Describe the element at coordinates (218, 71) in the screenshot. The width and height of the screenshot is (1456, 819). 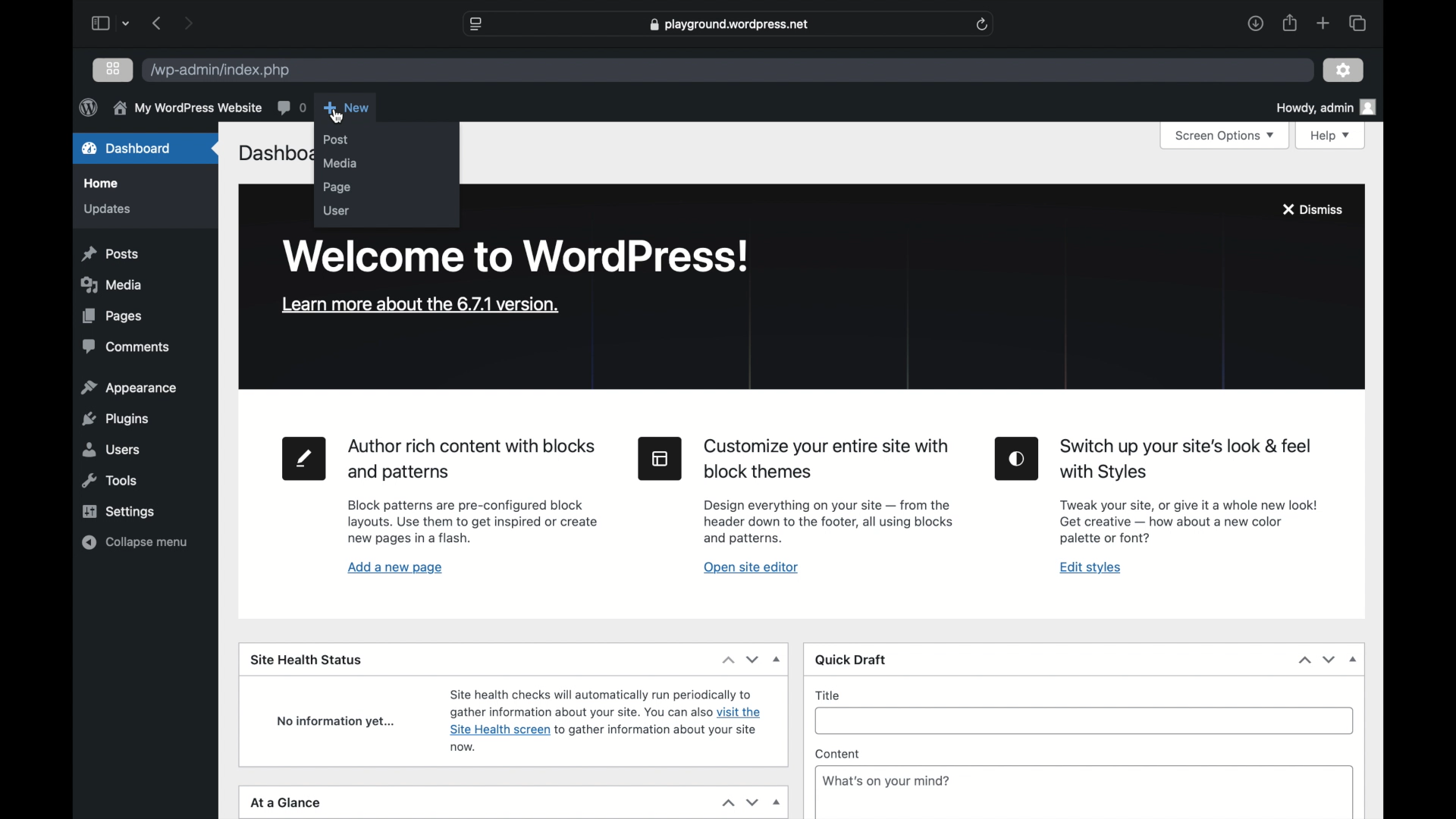
I see `wordpress address` at that location.